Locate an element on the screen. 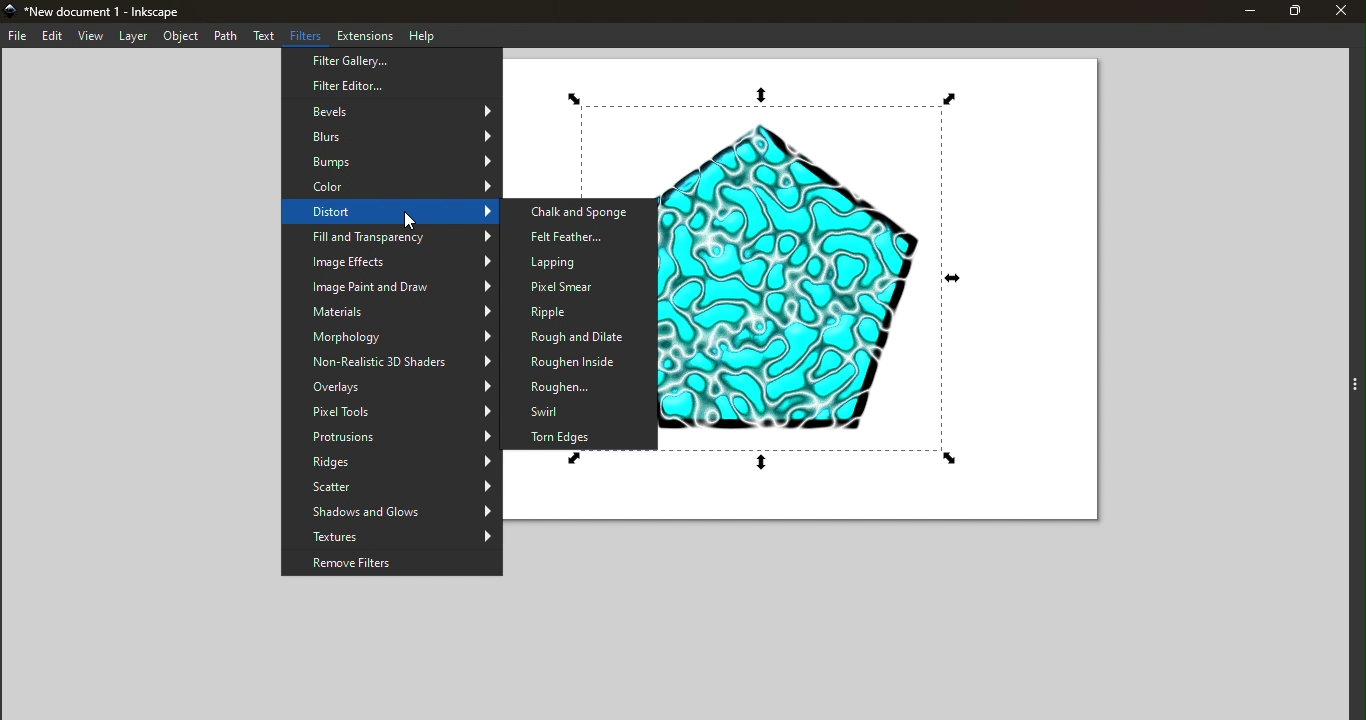  Textures is located at coordinates (393, 538).